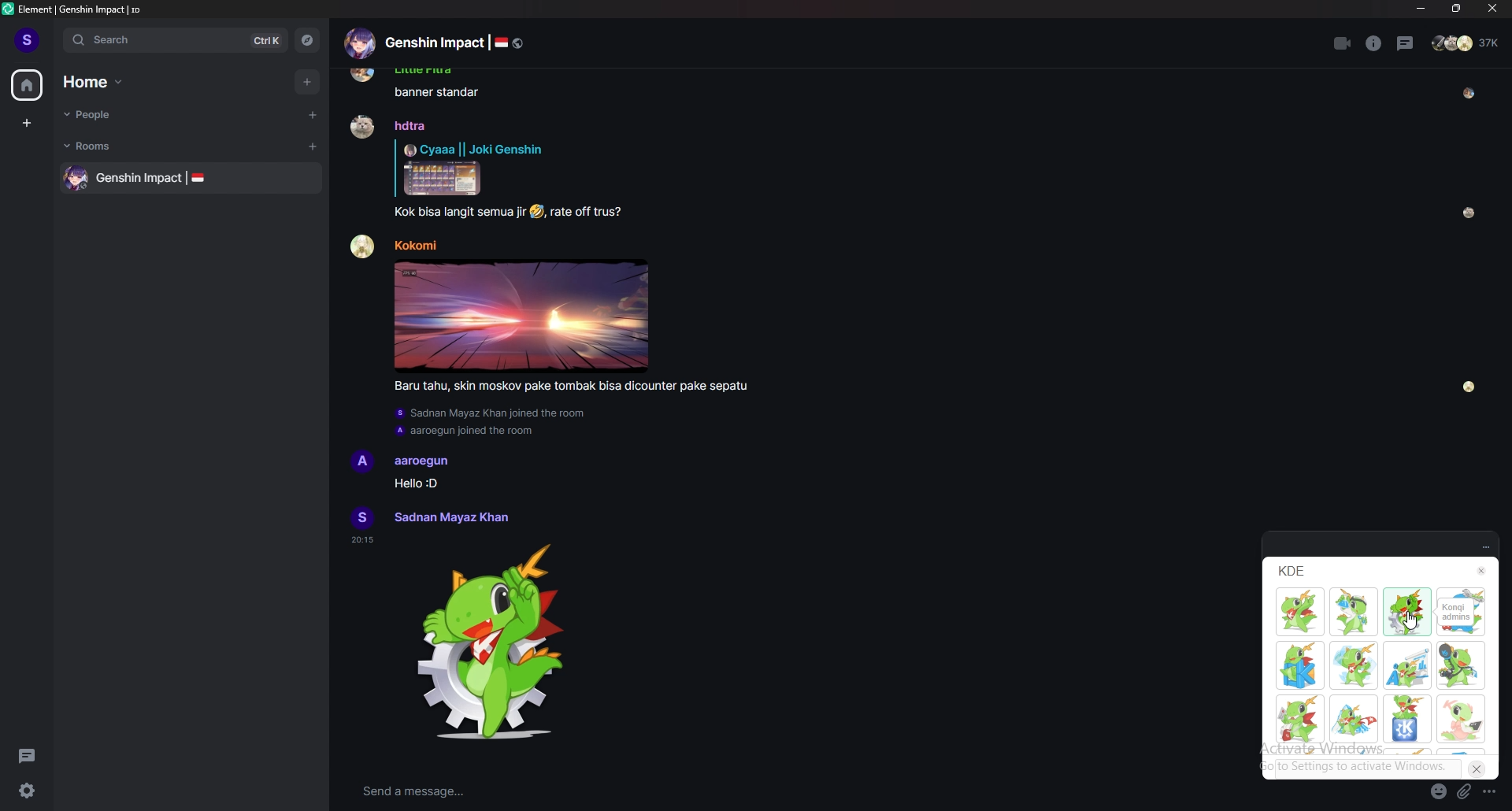 The image size is (1512, 811). I want to click on resize, so click(1456, 9).